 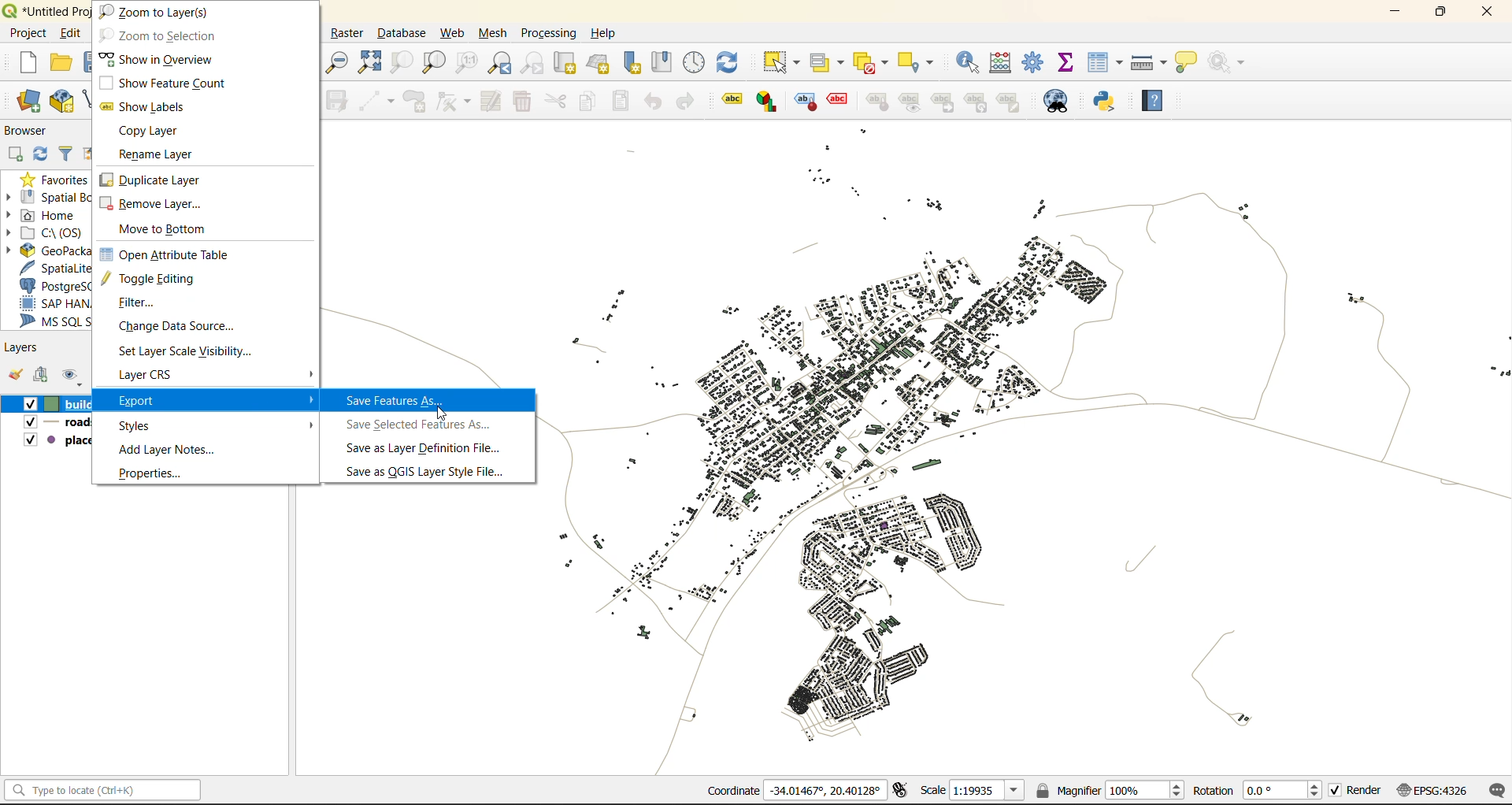 I want to click on rotate a label, so click(x=976, y=103).